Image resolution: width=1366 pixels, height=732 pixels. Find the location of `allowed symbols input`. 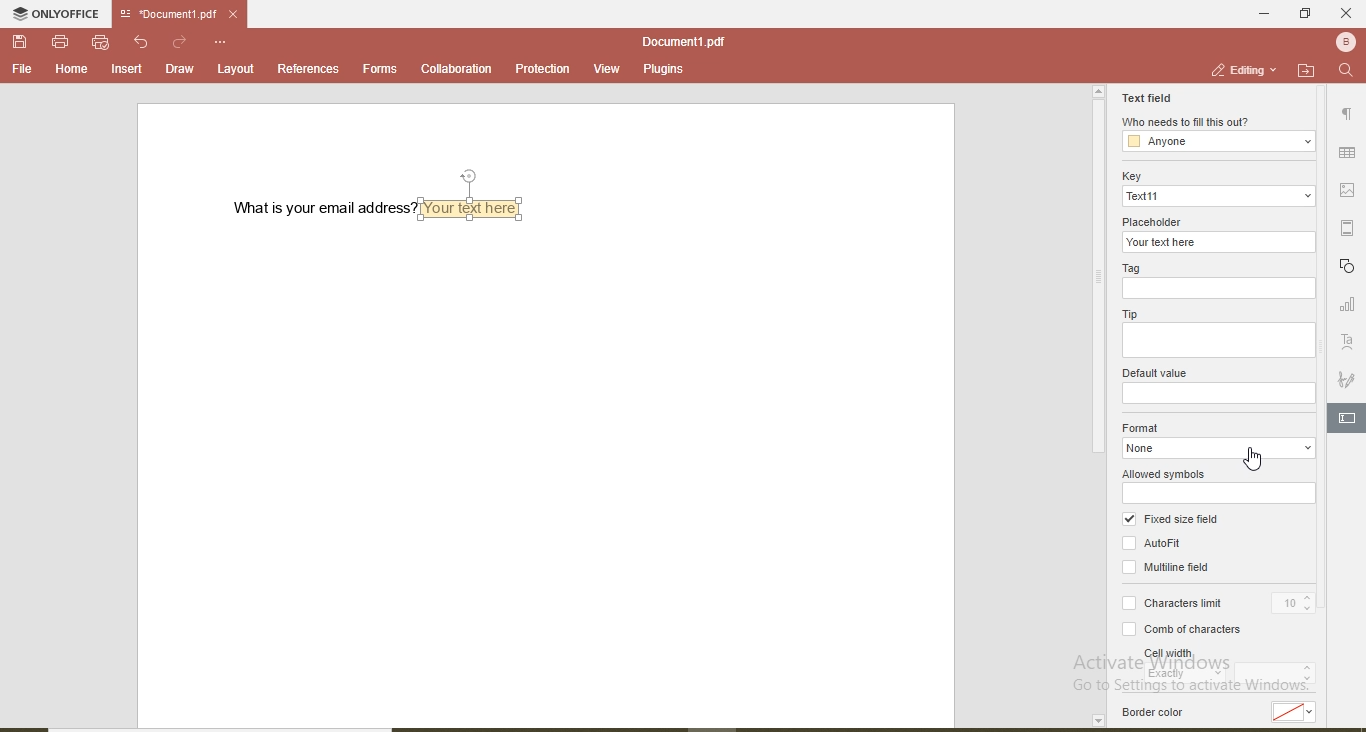

allowed symbols input is located at coordinates (1217, 493).